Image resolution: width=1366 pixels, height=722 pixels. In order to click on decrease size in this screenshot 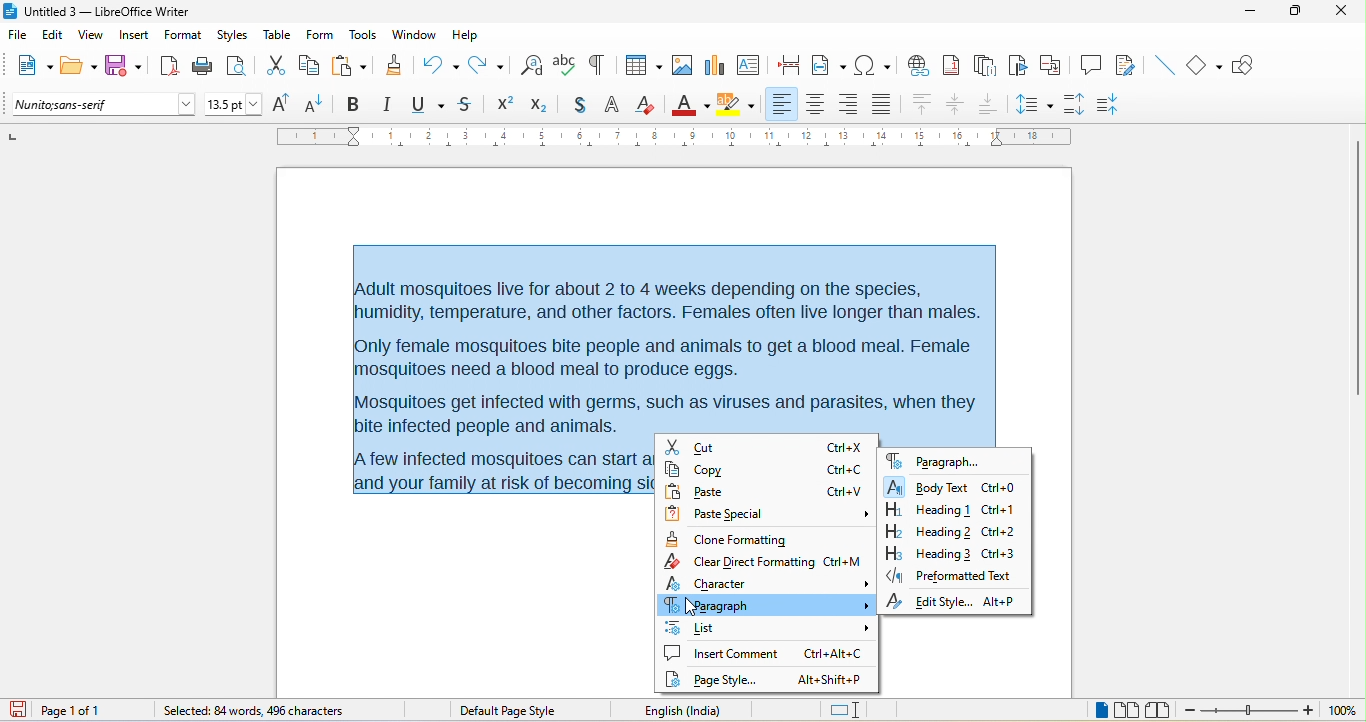, I will do `click(316, 103)`.